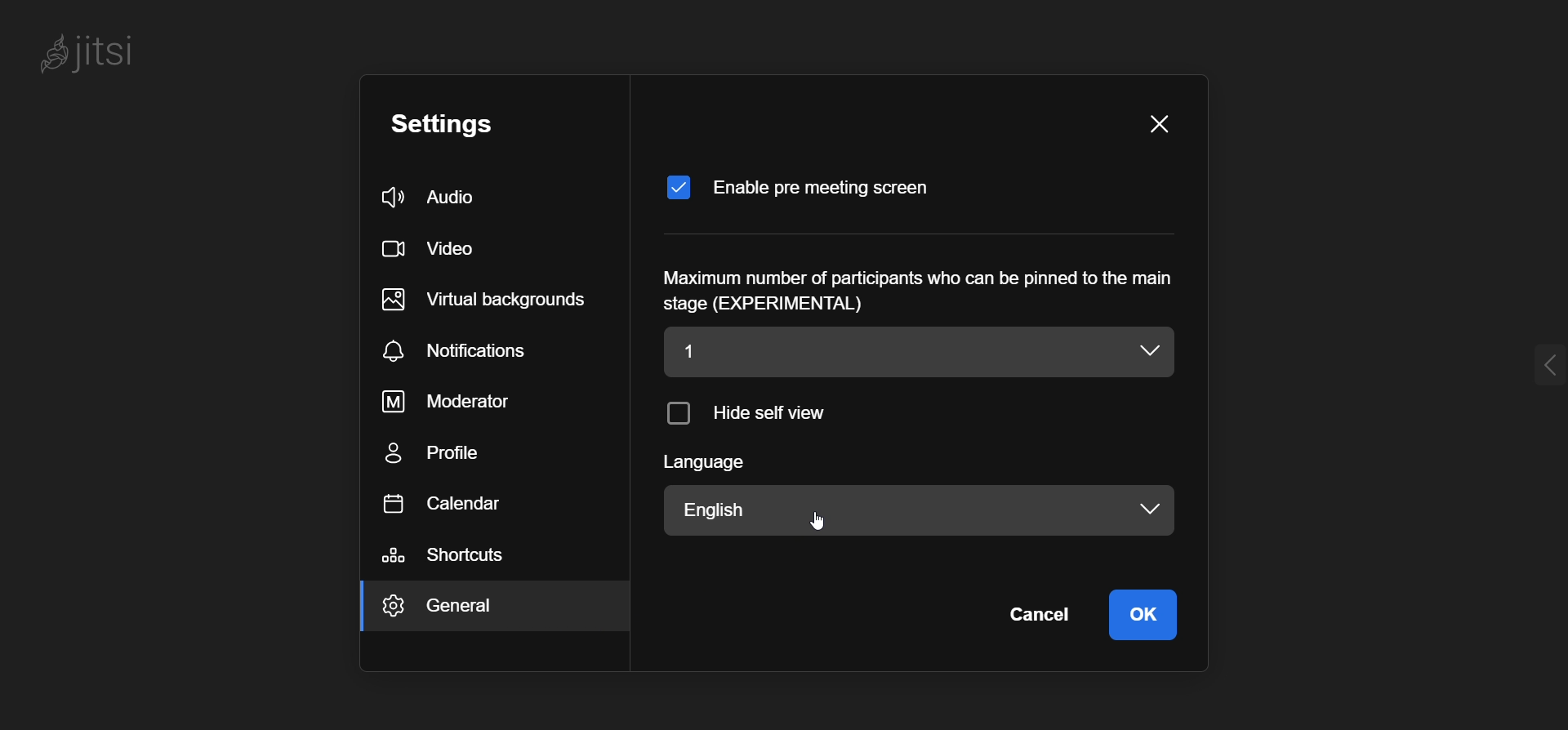 This screenshot has width=1568, height=730. I want to click on jitsi, so click(114, 60).